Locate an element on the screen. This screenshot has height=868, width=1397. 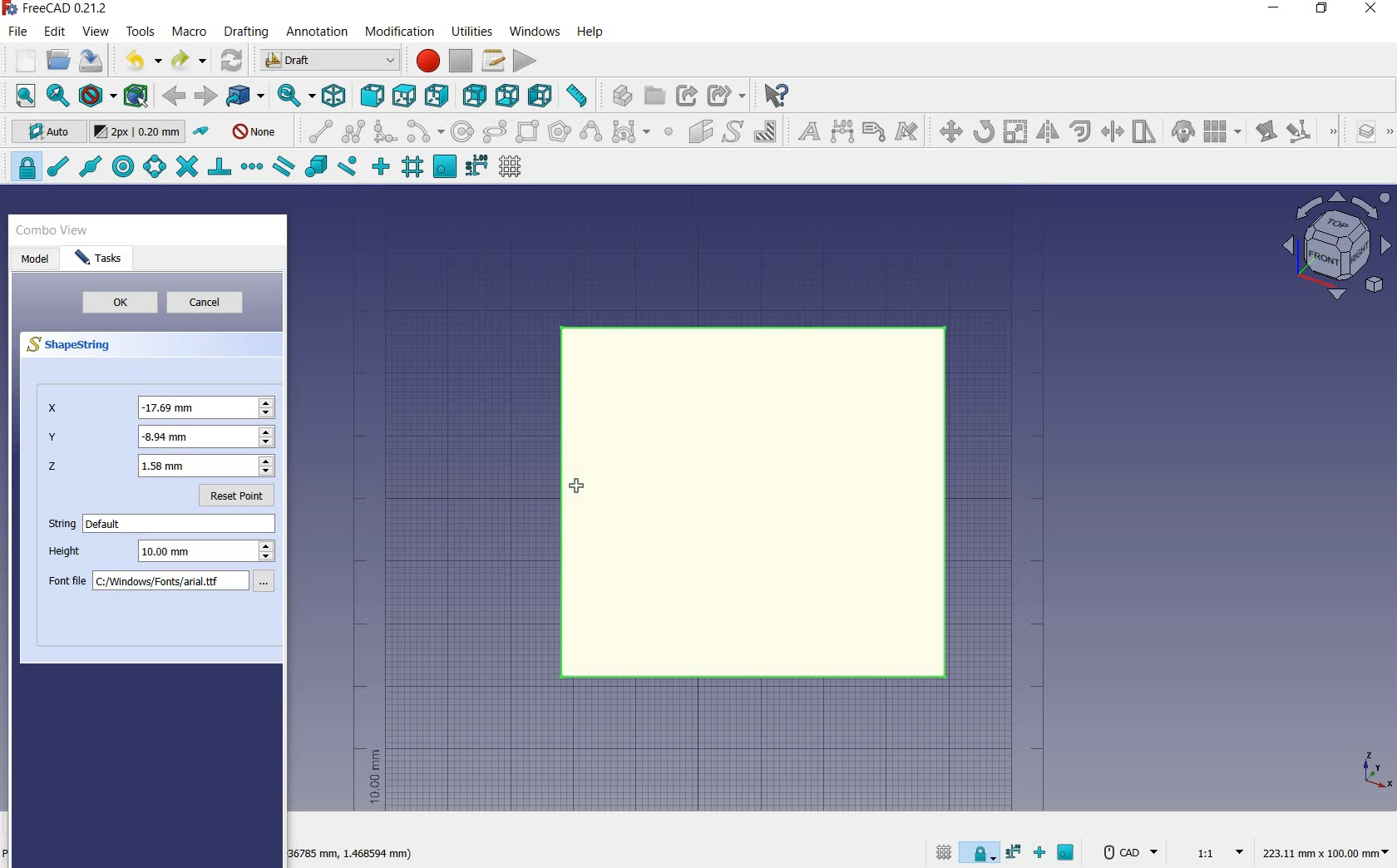
view is located at coordinates (96, 32).